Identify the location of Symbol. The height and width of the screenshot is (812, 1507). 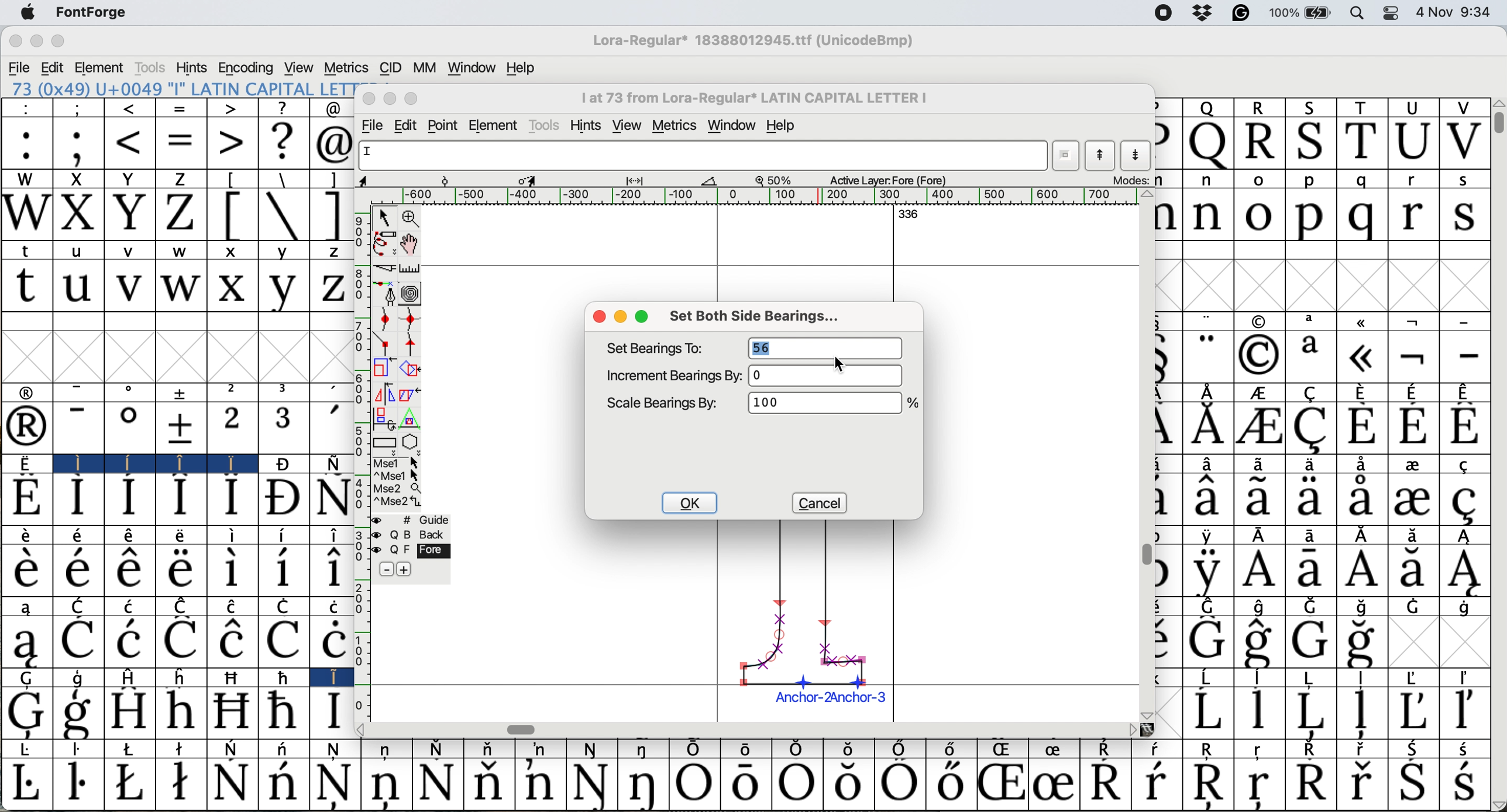
(1261, 499).